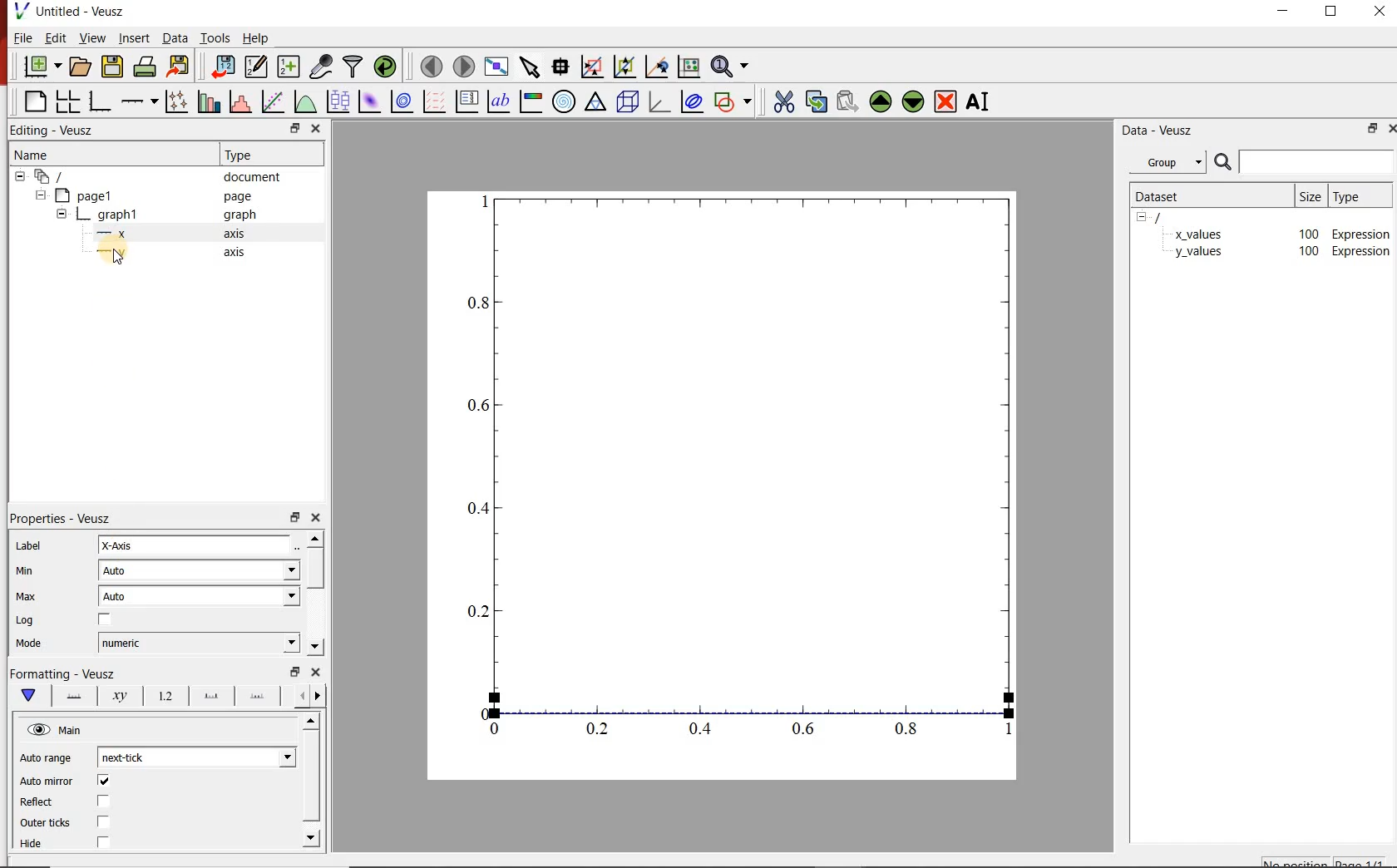 Image resolution: width=1397 pixels, height=868 pixels. Describe the element at coordinates (27, 621) in the screenshot. I see `| Log` at that location.